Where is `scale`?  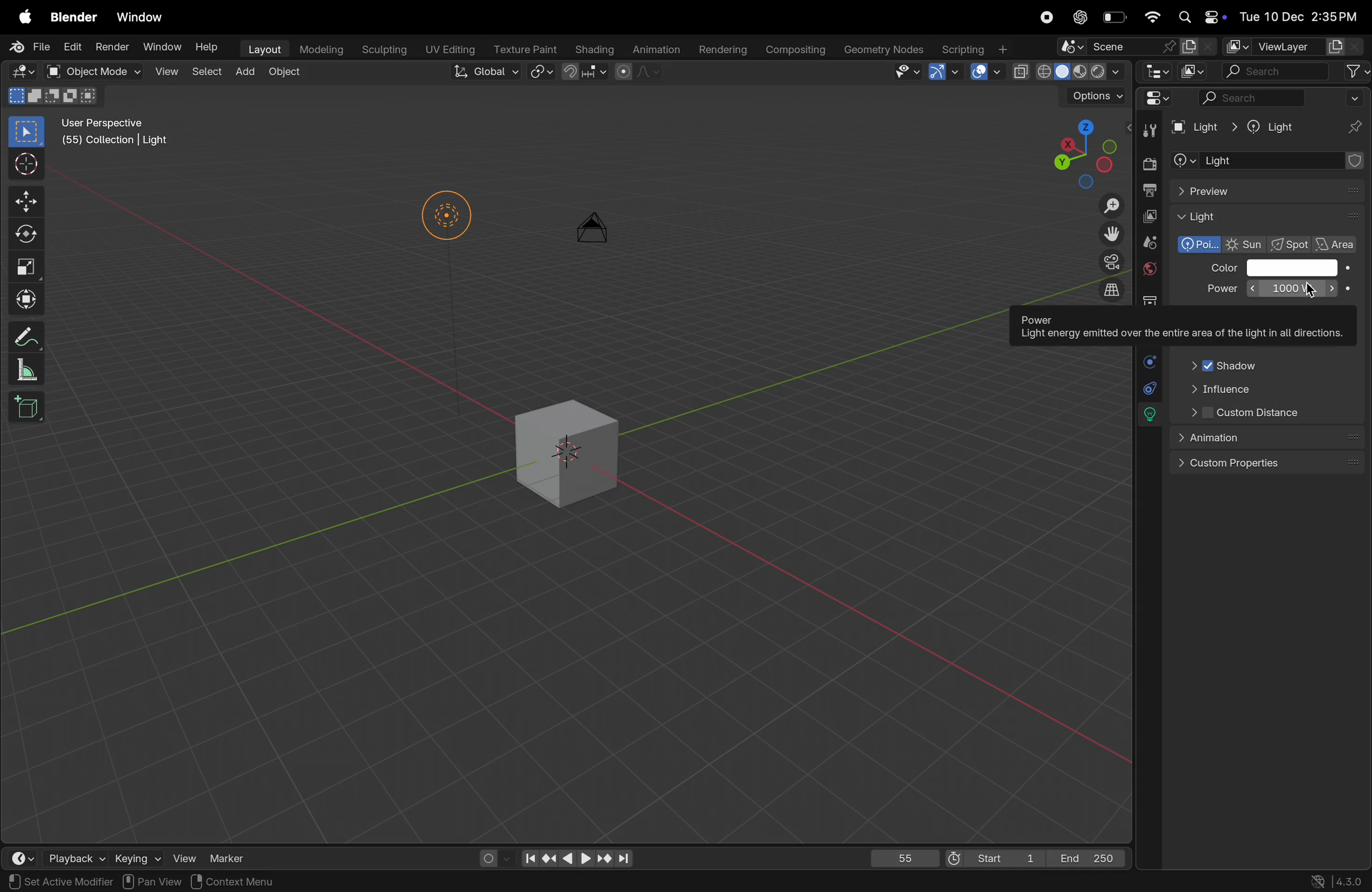 scale is located at coordinates (31, 269).